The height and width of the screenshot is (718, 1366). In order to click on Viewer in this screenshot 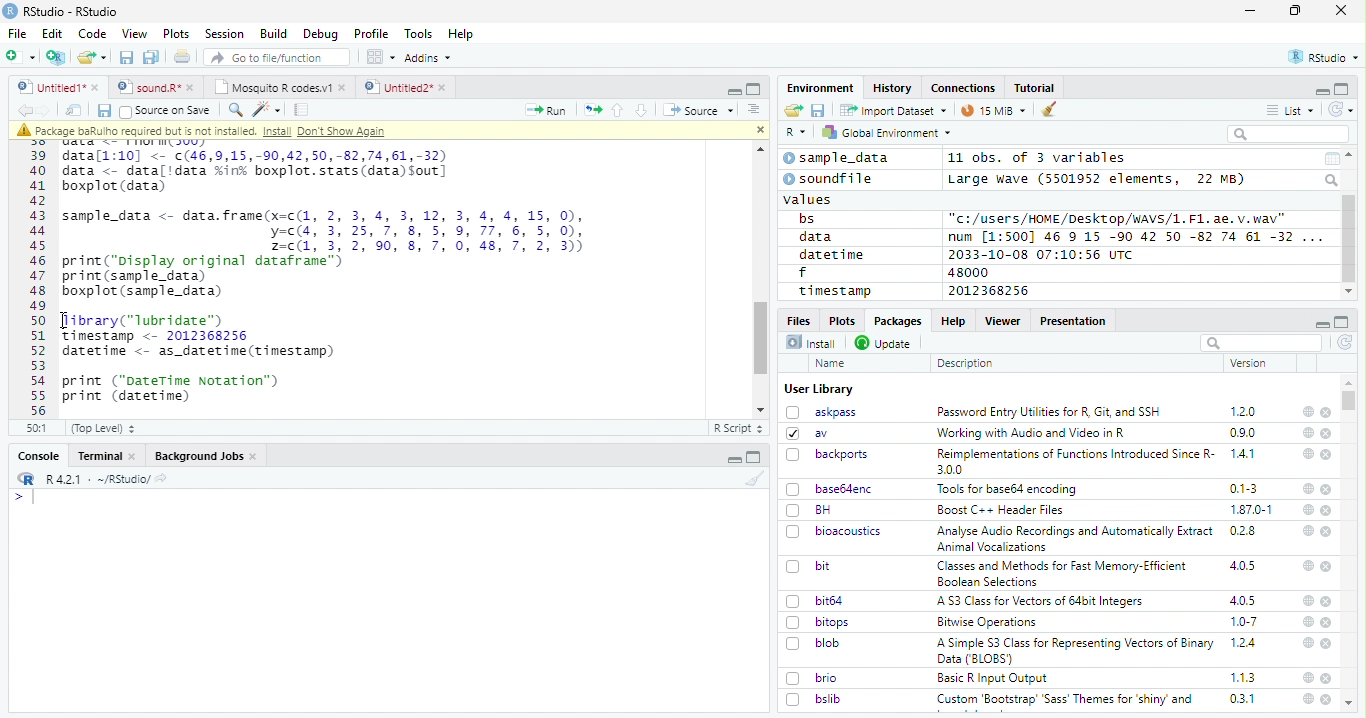, I will do `click(1003, 320)`.